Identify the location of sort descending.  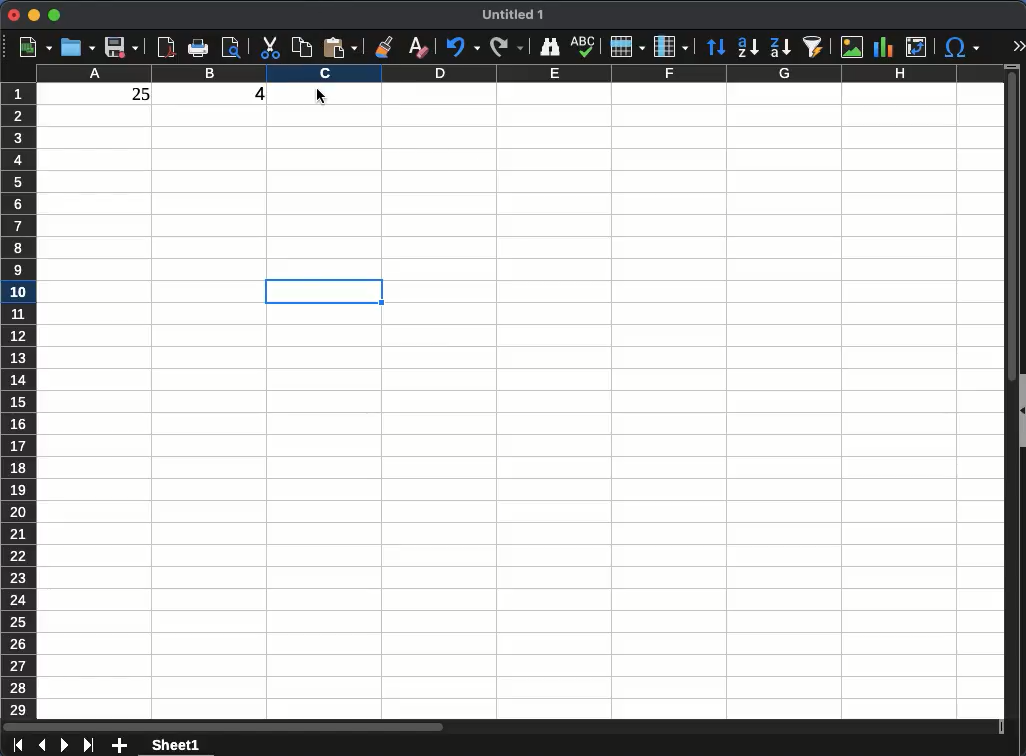
(780, 47).